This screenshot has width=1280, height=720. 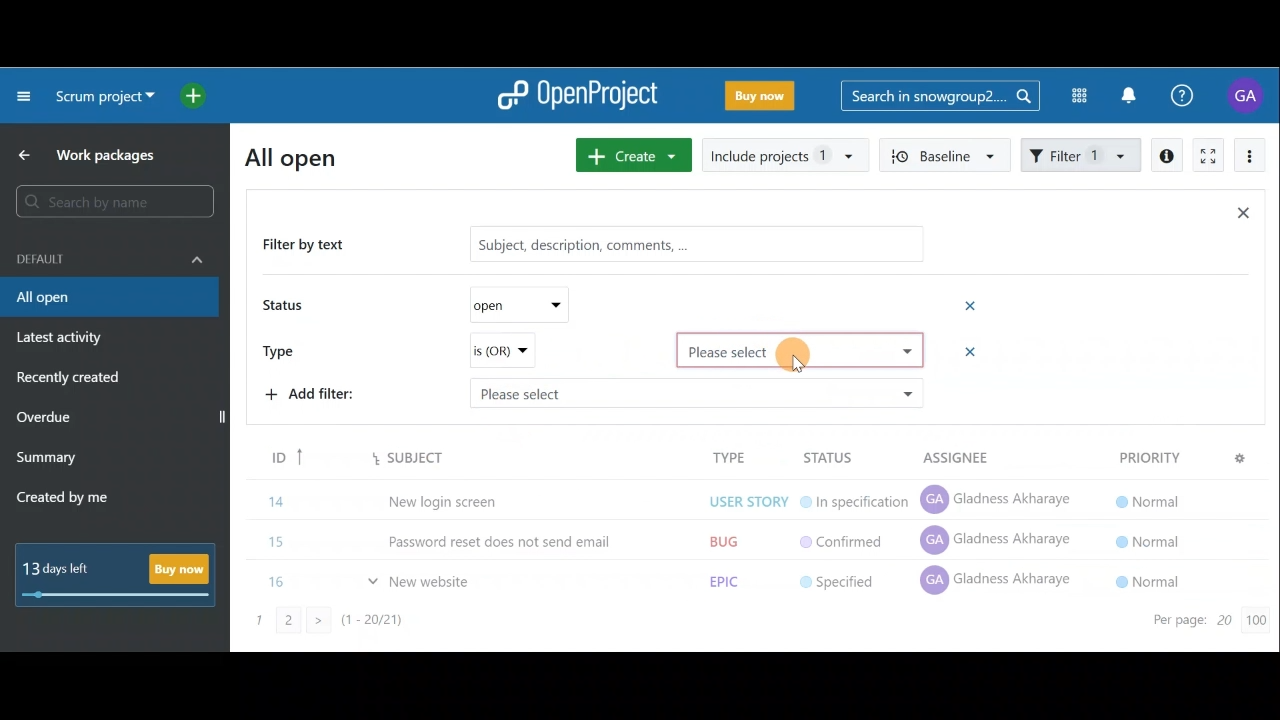 What do you see at coordinates (750, 457) in the screenshot?
I see `Menu bar` at bounding box center [750, 457].